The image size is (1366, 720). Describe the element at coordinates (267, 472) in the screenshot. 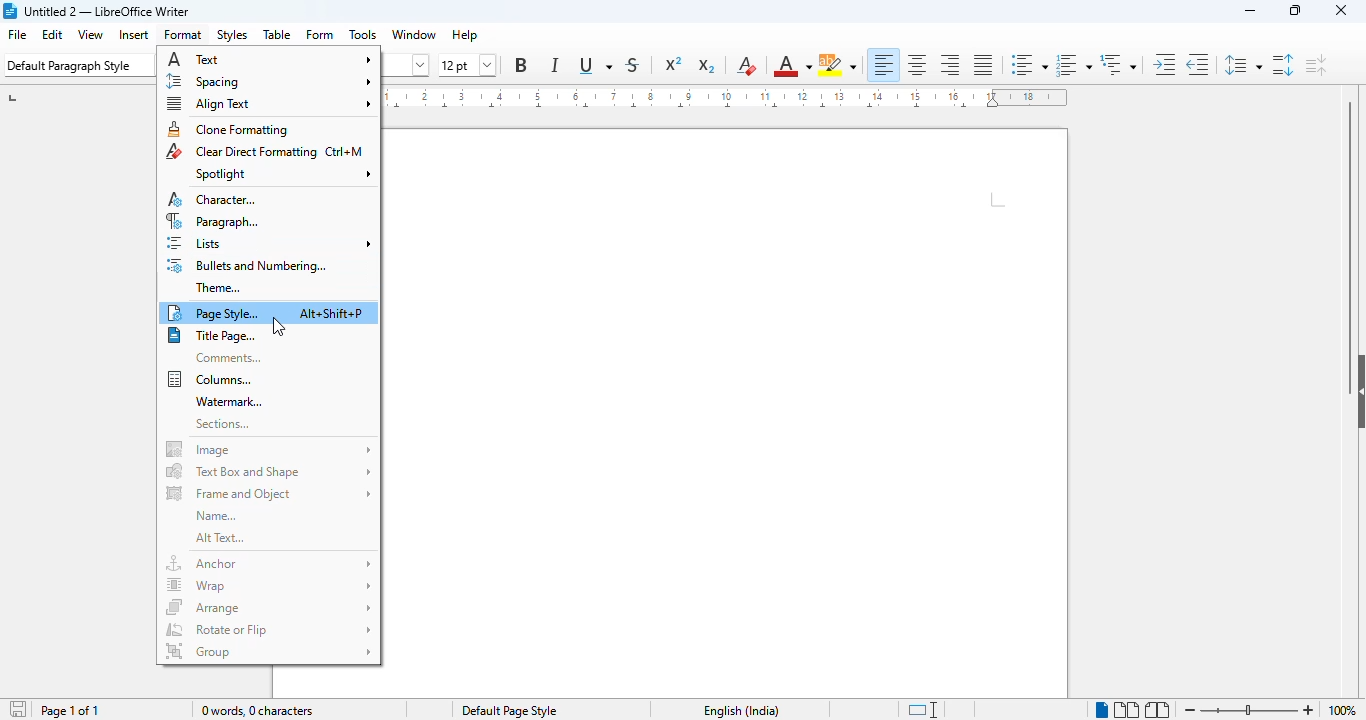

I see `text box and shape` at that location.